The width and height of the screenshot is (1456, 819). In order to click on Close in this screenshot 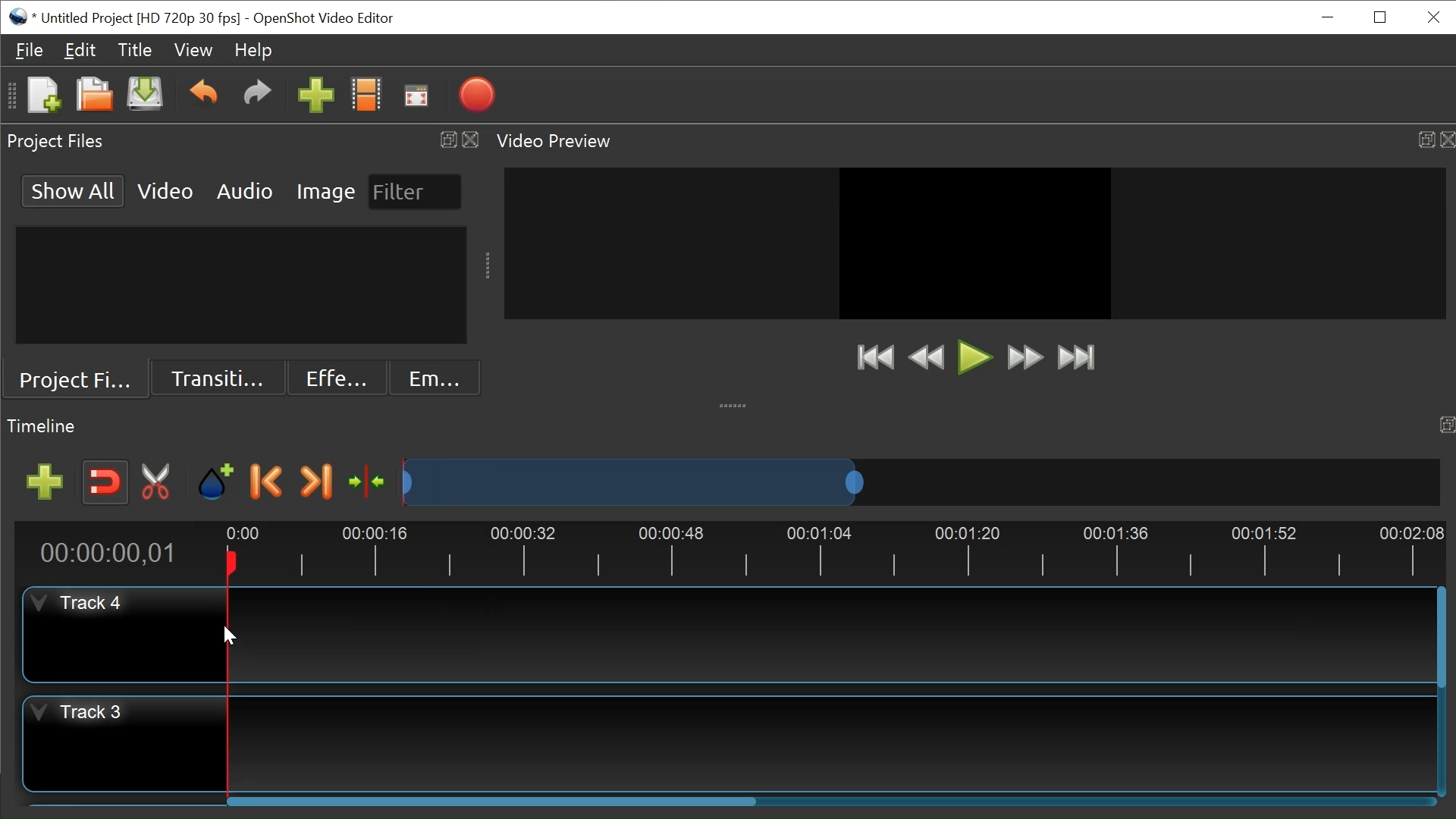, I will do `click(1431, 17)`.